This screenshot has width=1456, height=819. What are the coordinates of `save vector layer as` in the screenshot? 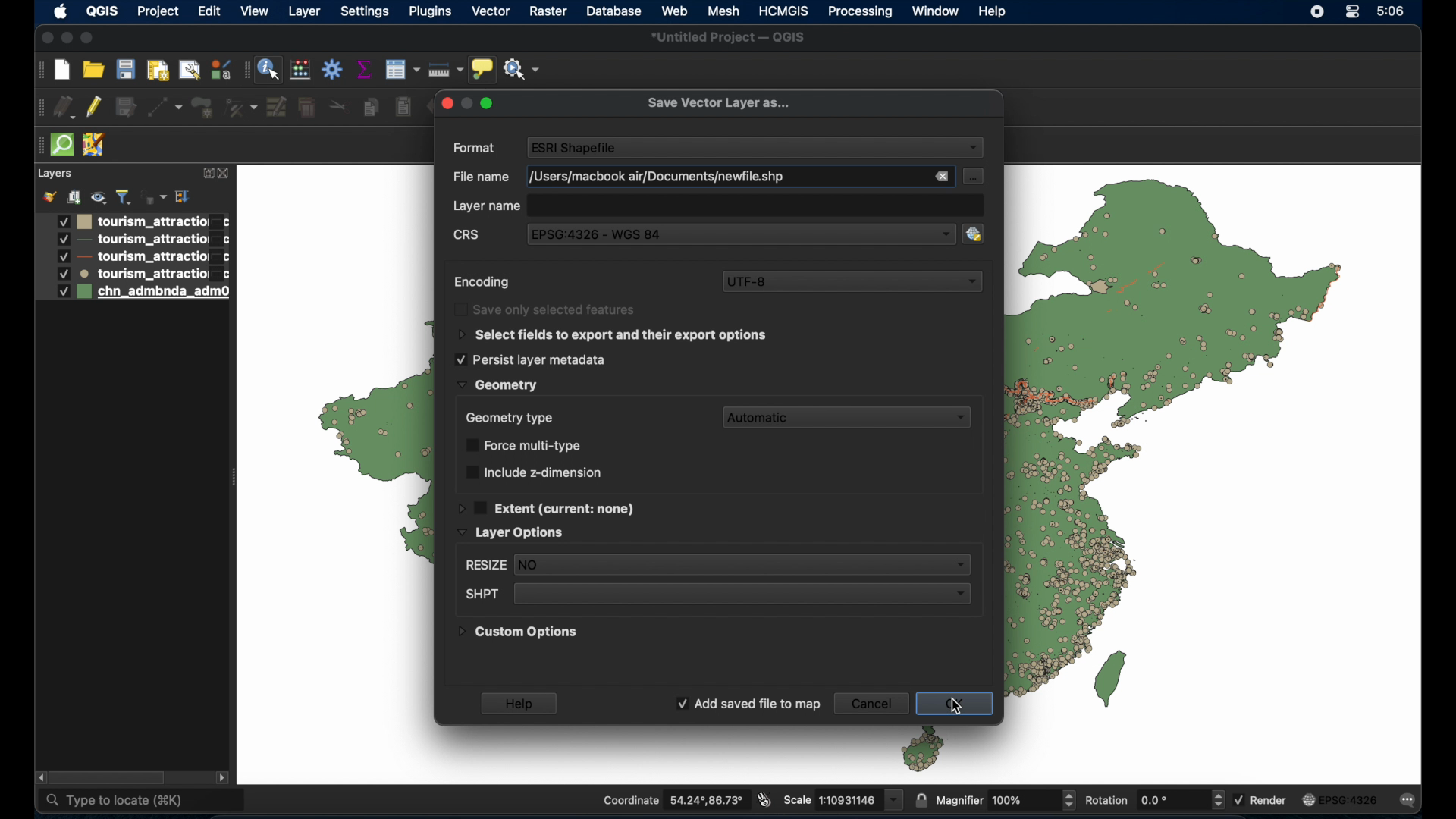 It's located at (718, 104).